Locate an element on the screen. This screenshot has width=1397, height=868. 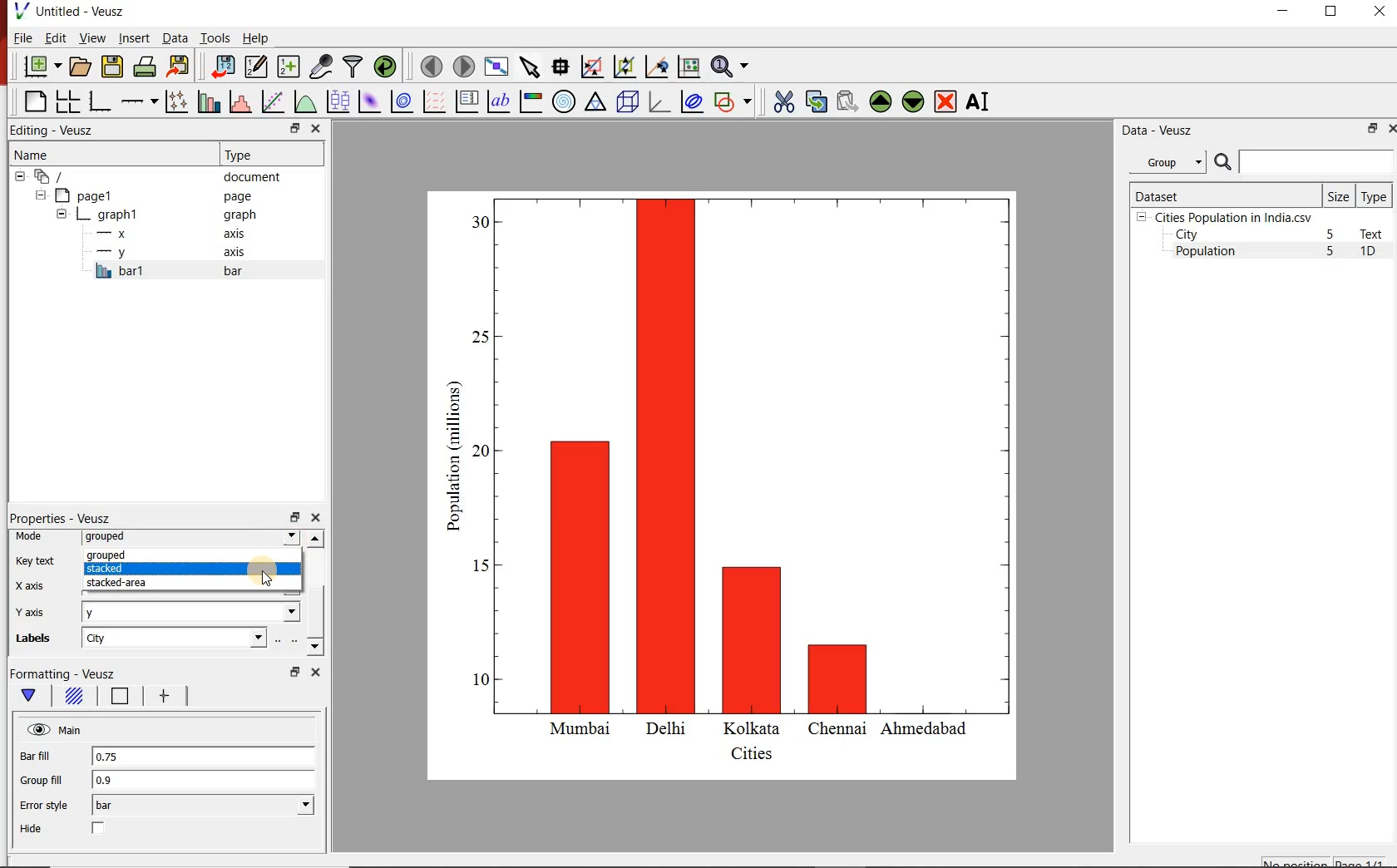
paste widget from the clipboard is located at coordinates (847, 101).